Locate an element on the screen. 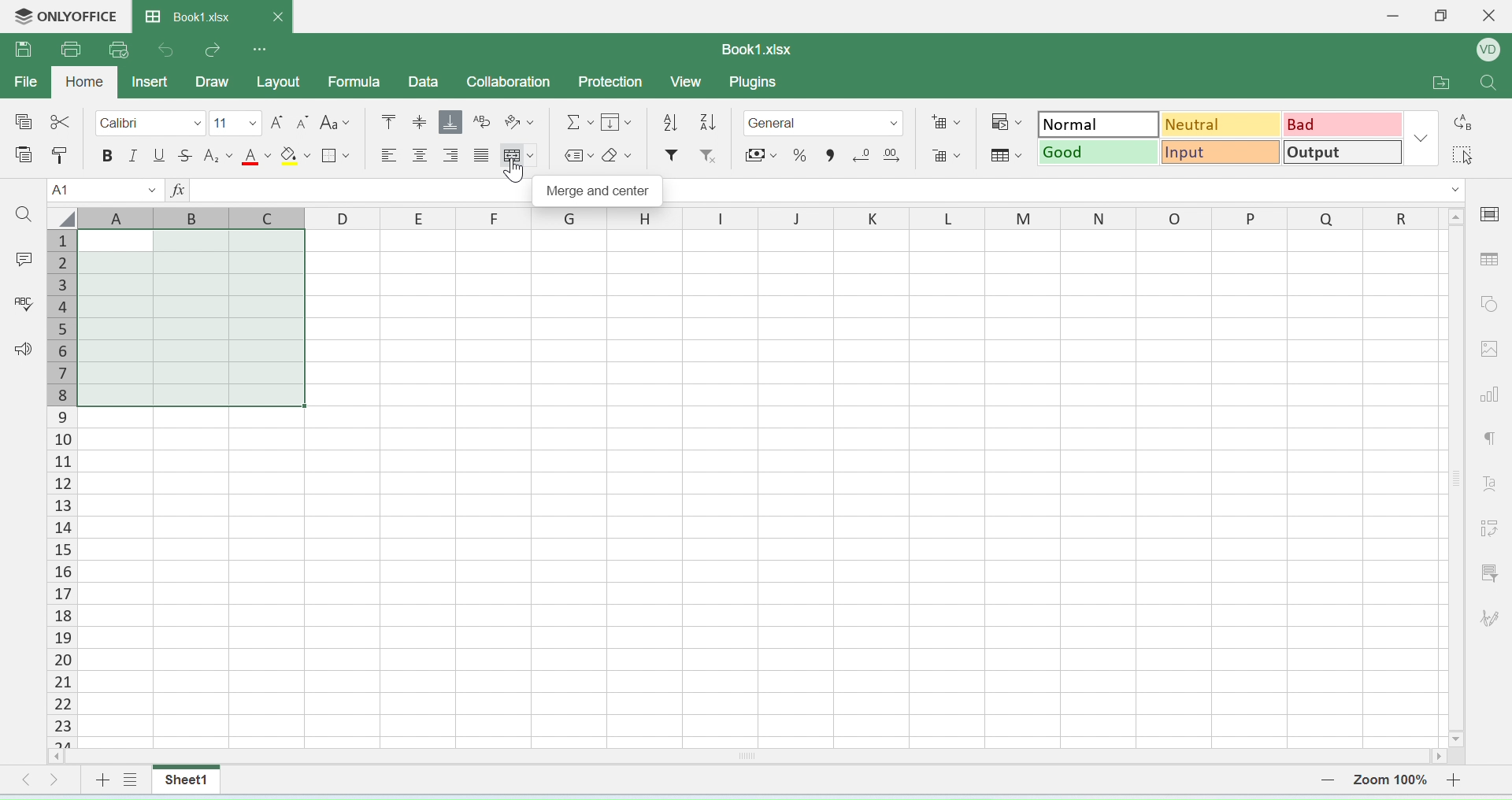  bad is located at coordinates (1340, 124).